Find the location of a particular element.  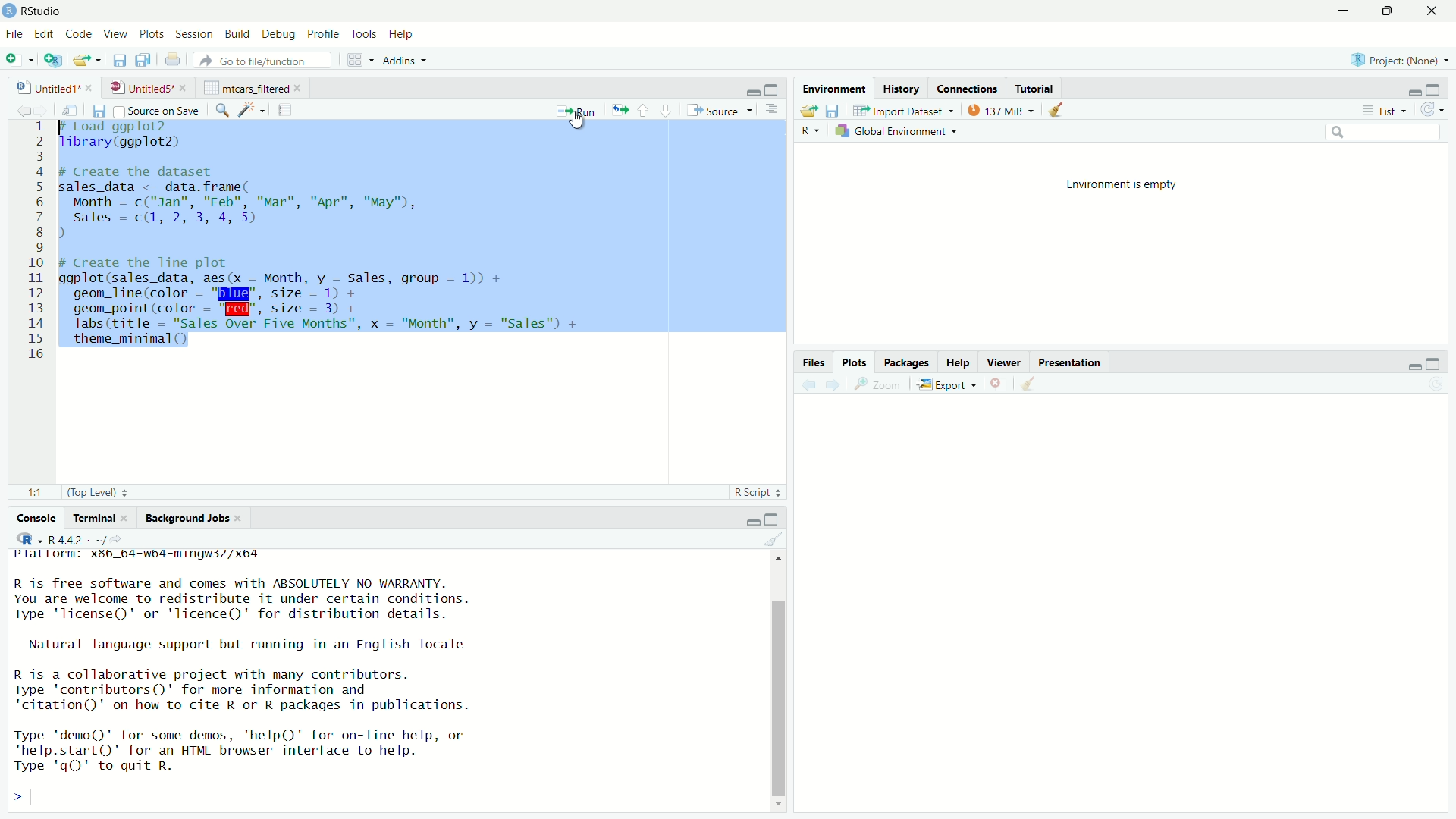

maximize is located at coordinates (774, 89).